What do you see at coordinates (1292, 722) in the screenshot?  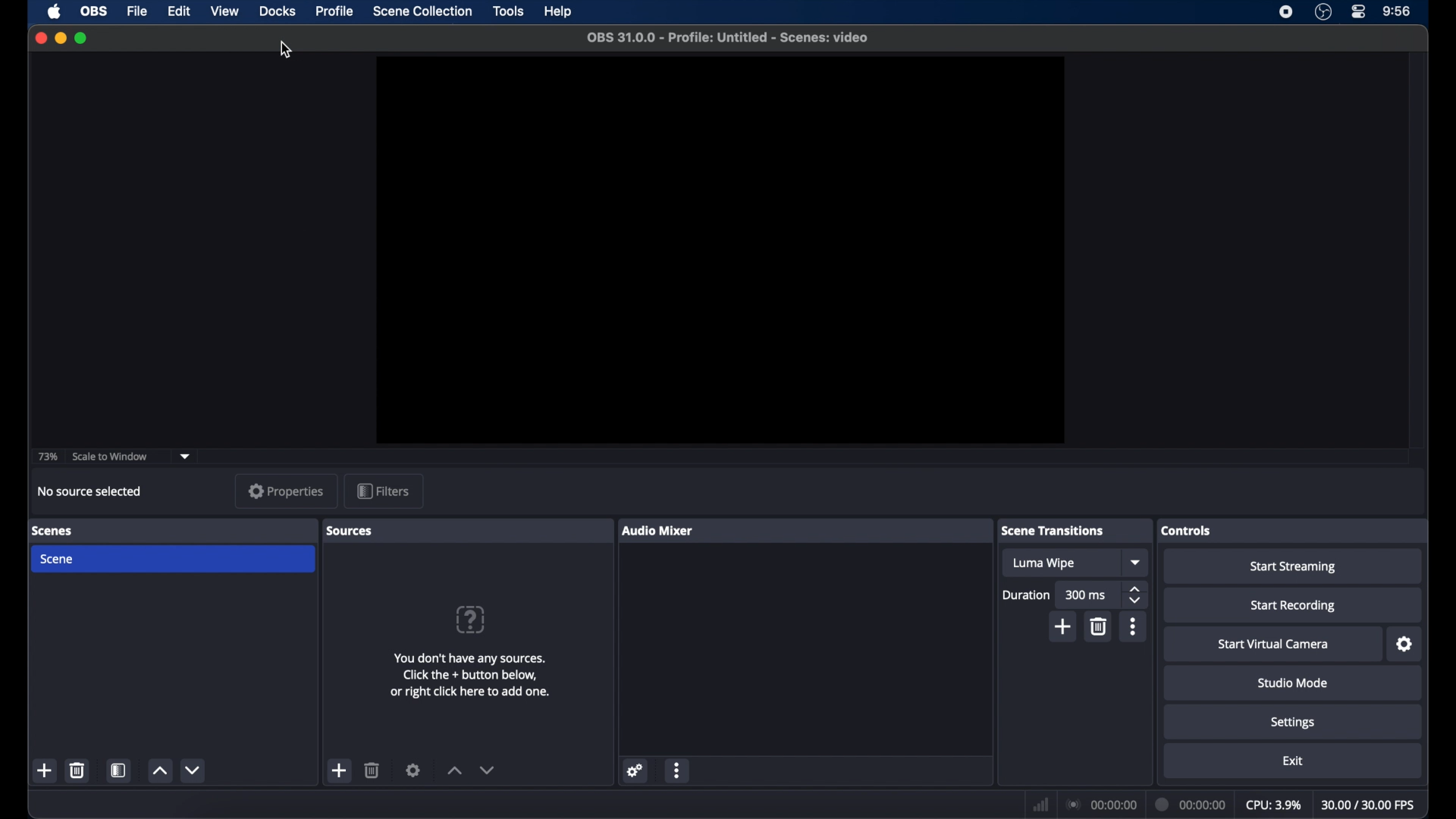 I see `settings` at bounding box center [1292, 722].